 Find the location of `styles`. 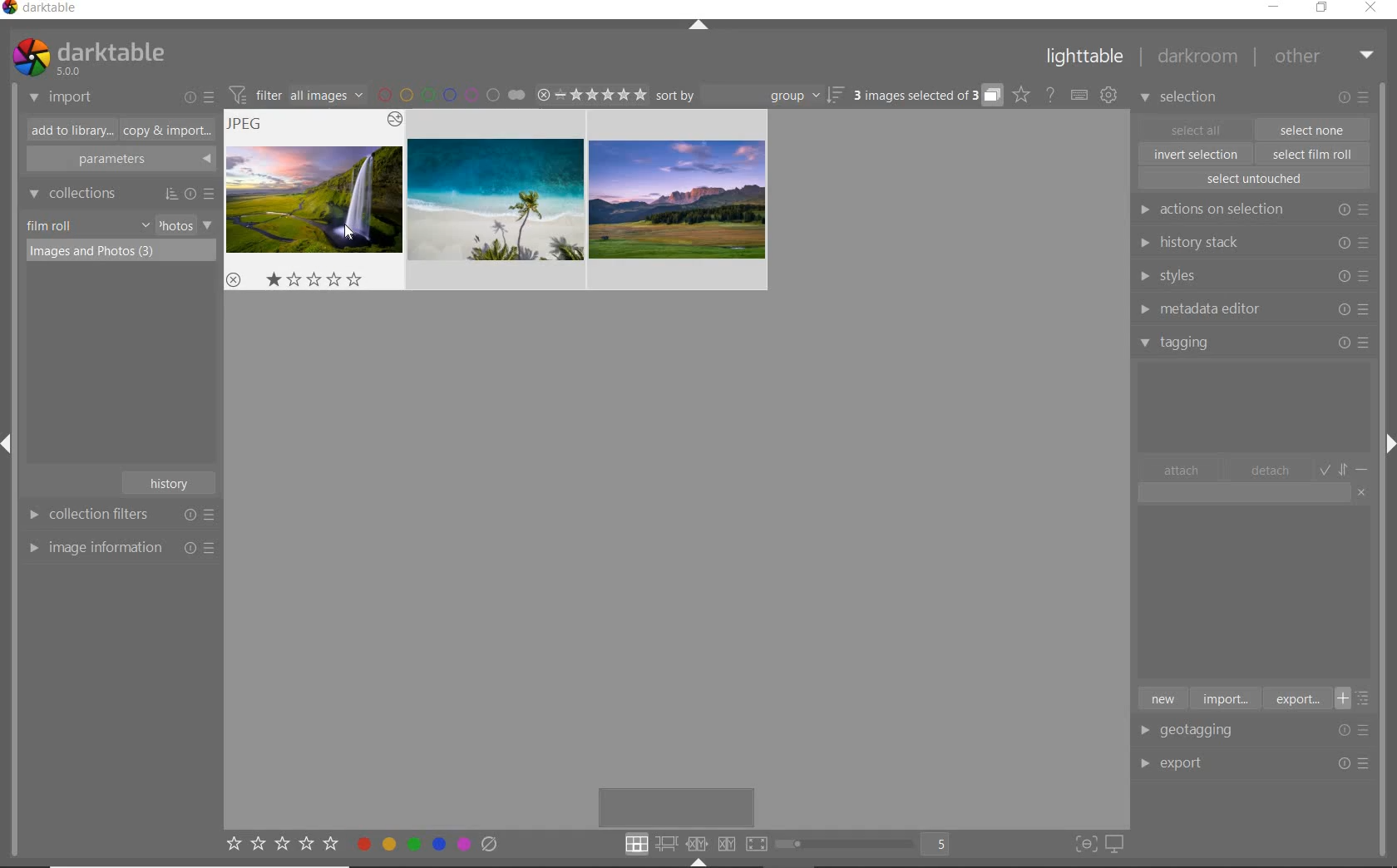

styles is located at coordinates (1252, 277).